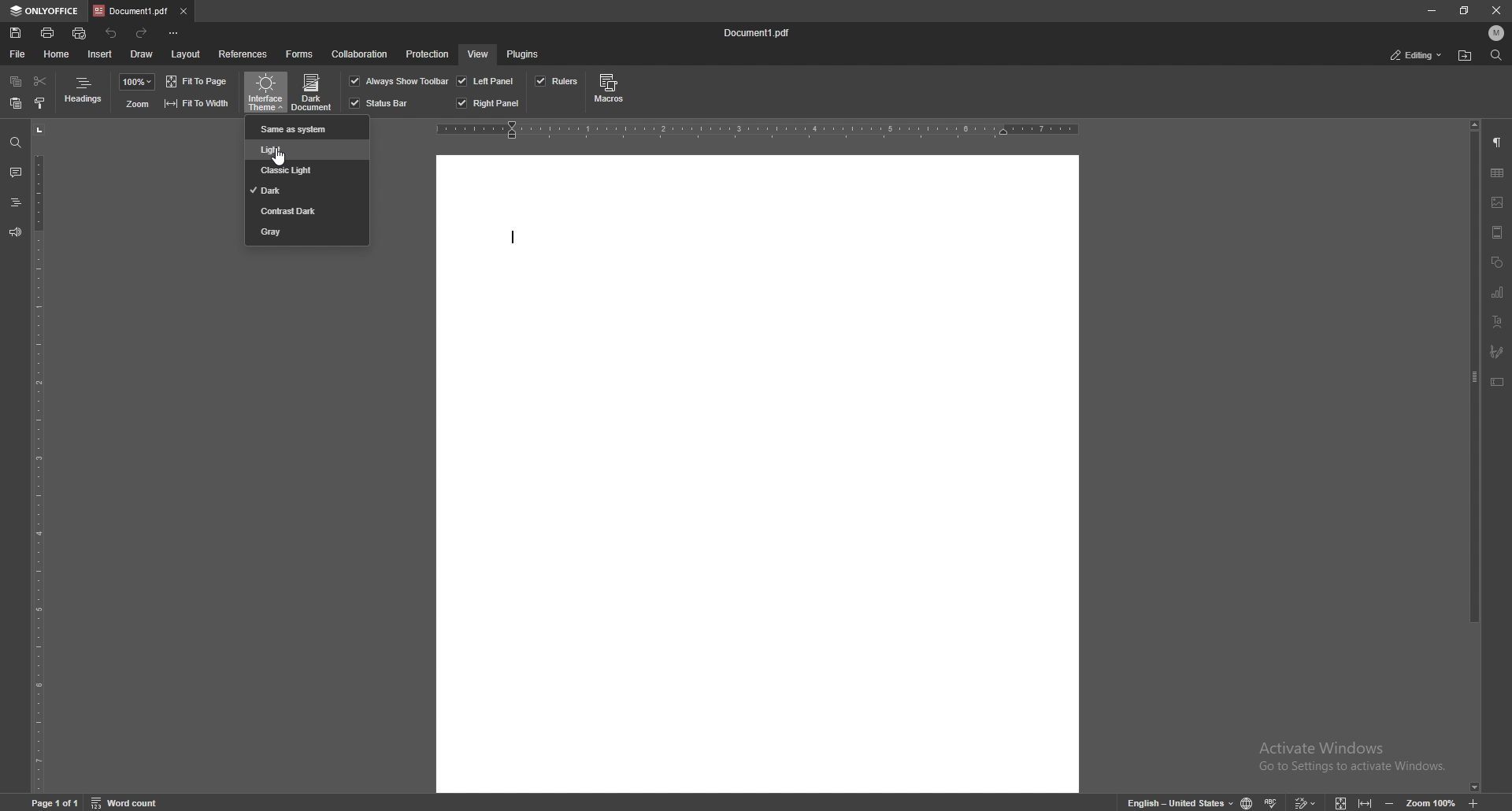 Image resolution: width=1512 pixels, height=811 pixels. What do you see at coordinates (16, 33) in the screenshot?
I see `save` at bounding box center [16, 33].